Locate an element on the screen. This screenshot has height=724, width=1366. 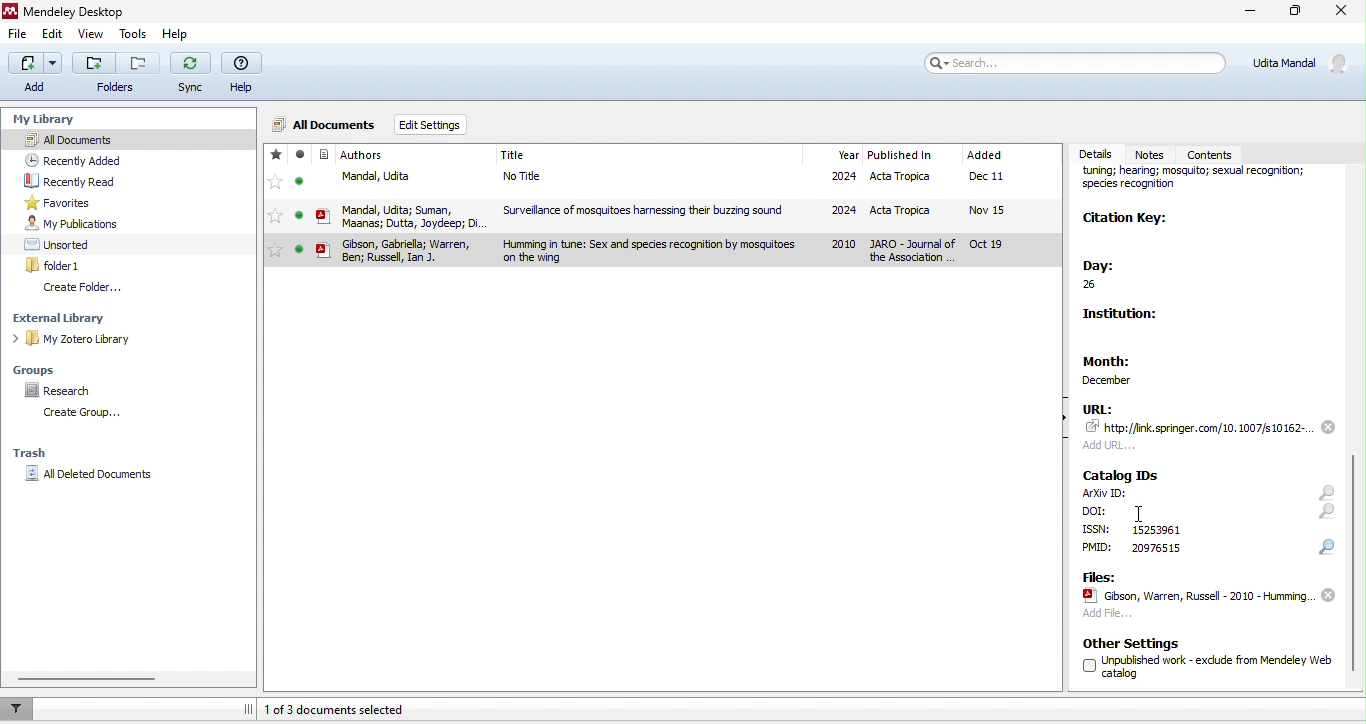
filter is located at coordinates (20, 708).